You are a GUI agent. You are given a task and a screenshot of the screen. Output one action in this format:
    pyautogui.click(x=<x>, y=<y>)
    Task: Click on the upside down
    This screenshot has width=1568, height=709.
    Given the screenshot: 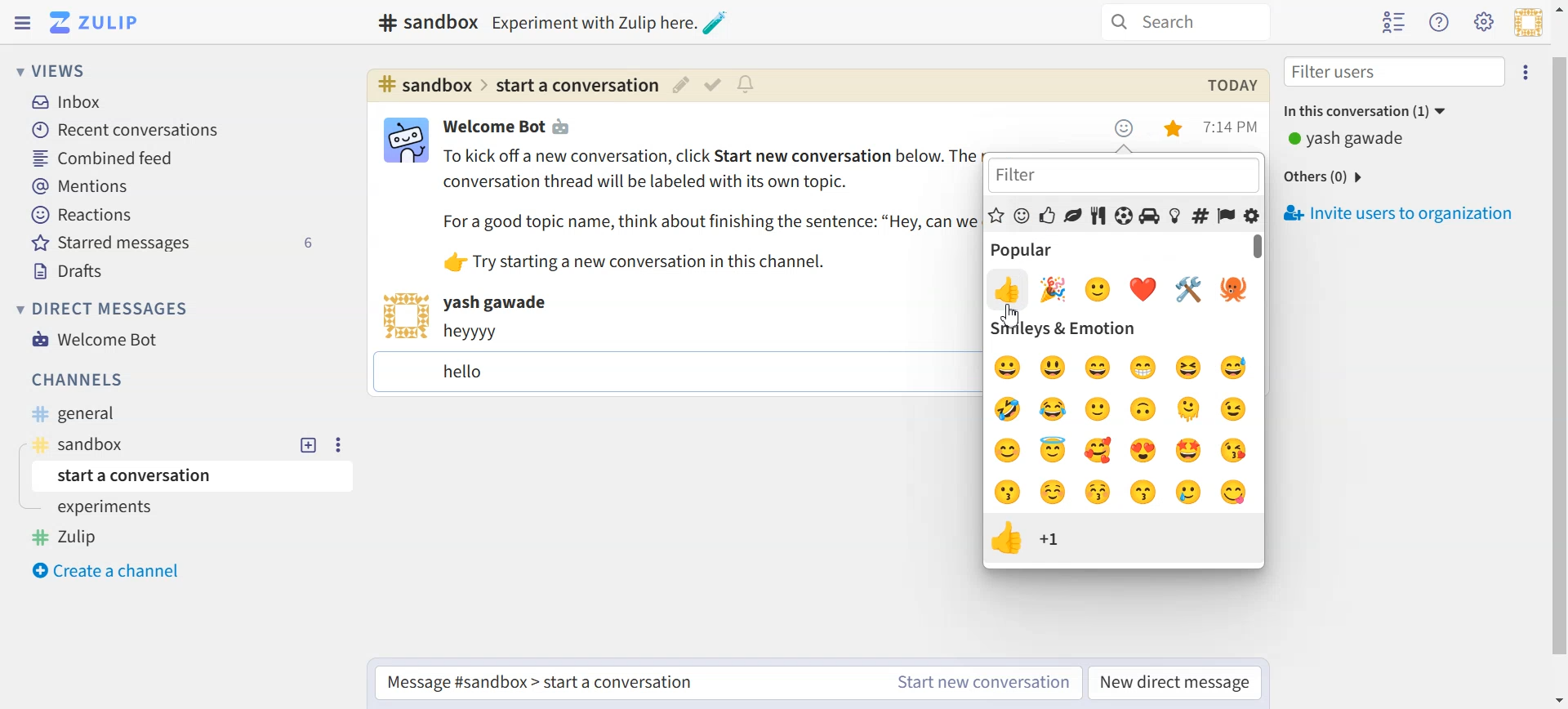 What is the action you would take?
    pyautogui.click(x=1141, y=409)
    